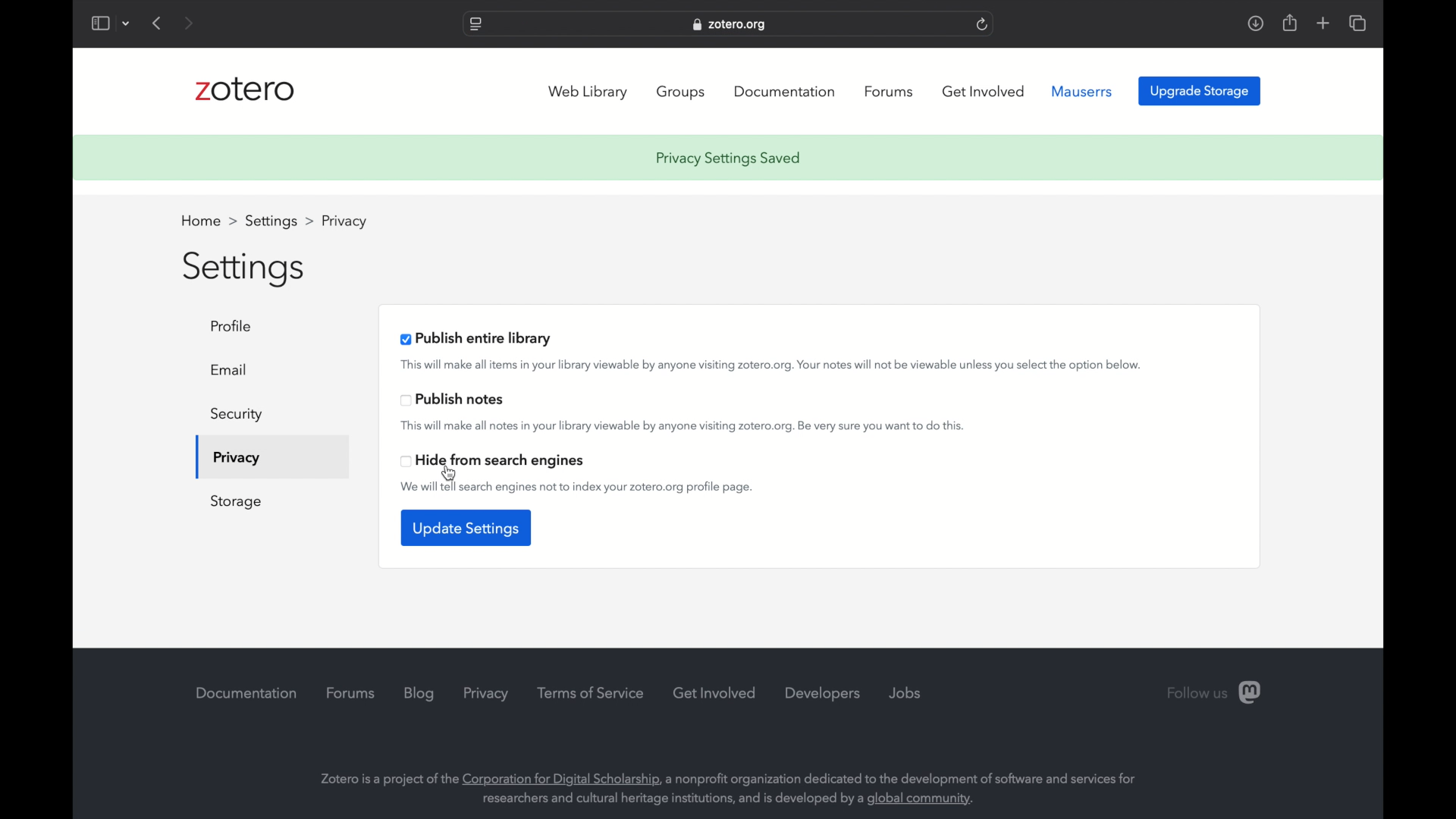 This screenshot has width=1456, height=819. Describe the element at coordinates (158, 23) in the screenshot. I see `previous` at that location.